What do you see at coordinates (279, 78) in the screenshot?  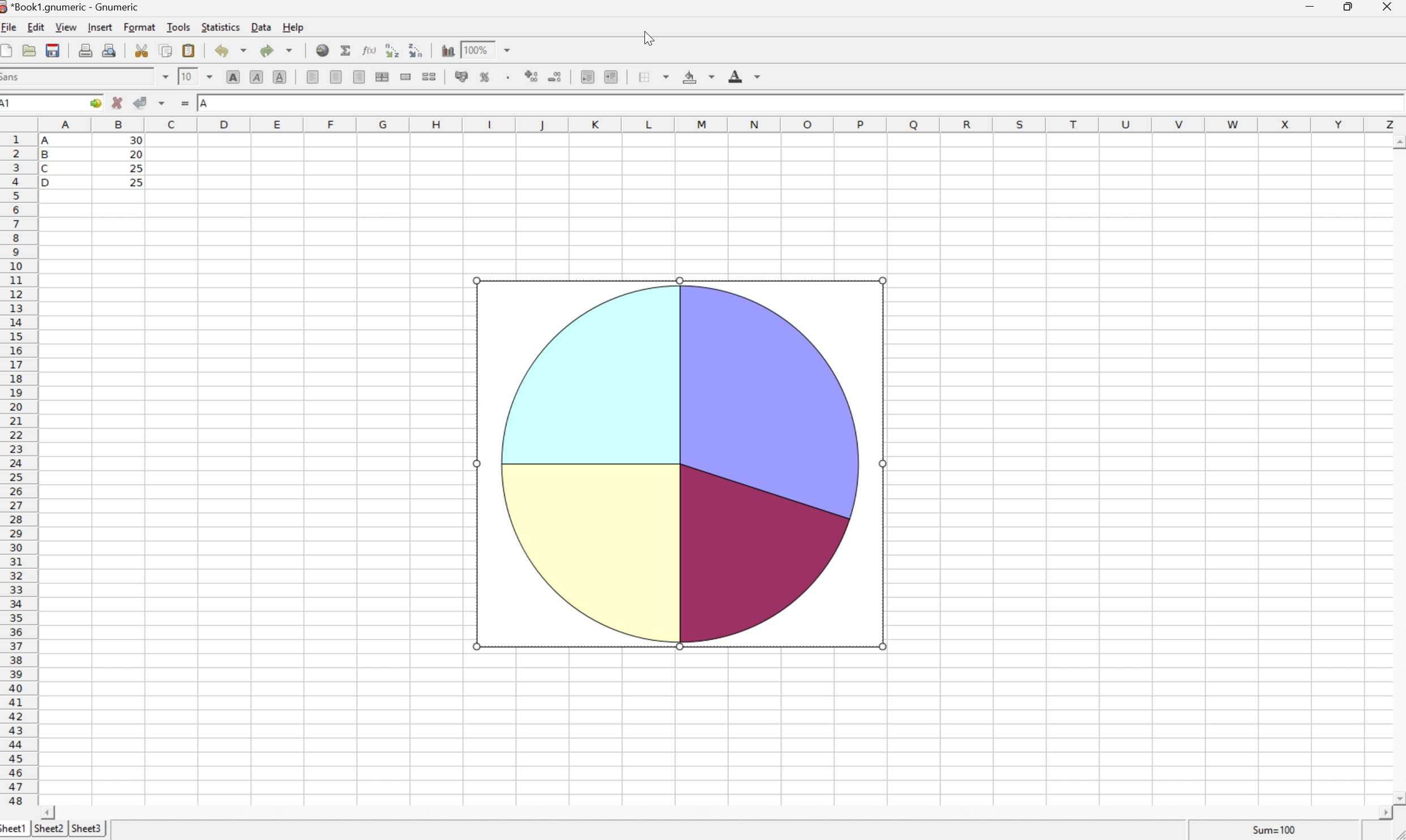 I see `Underline` at bounding box center [279, 78].